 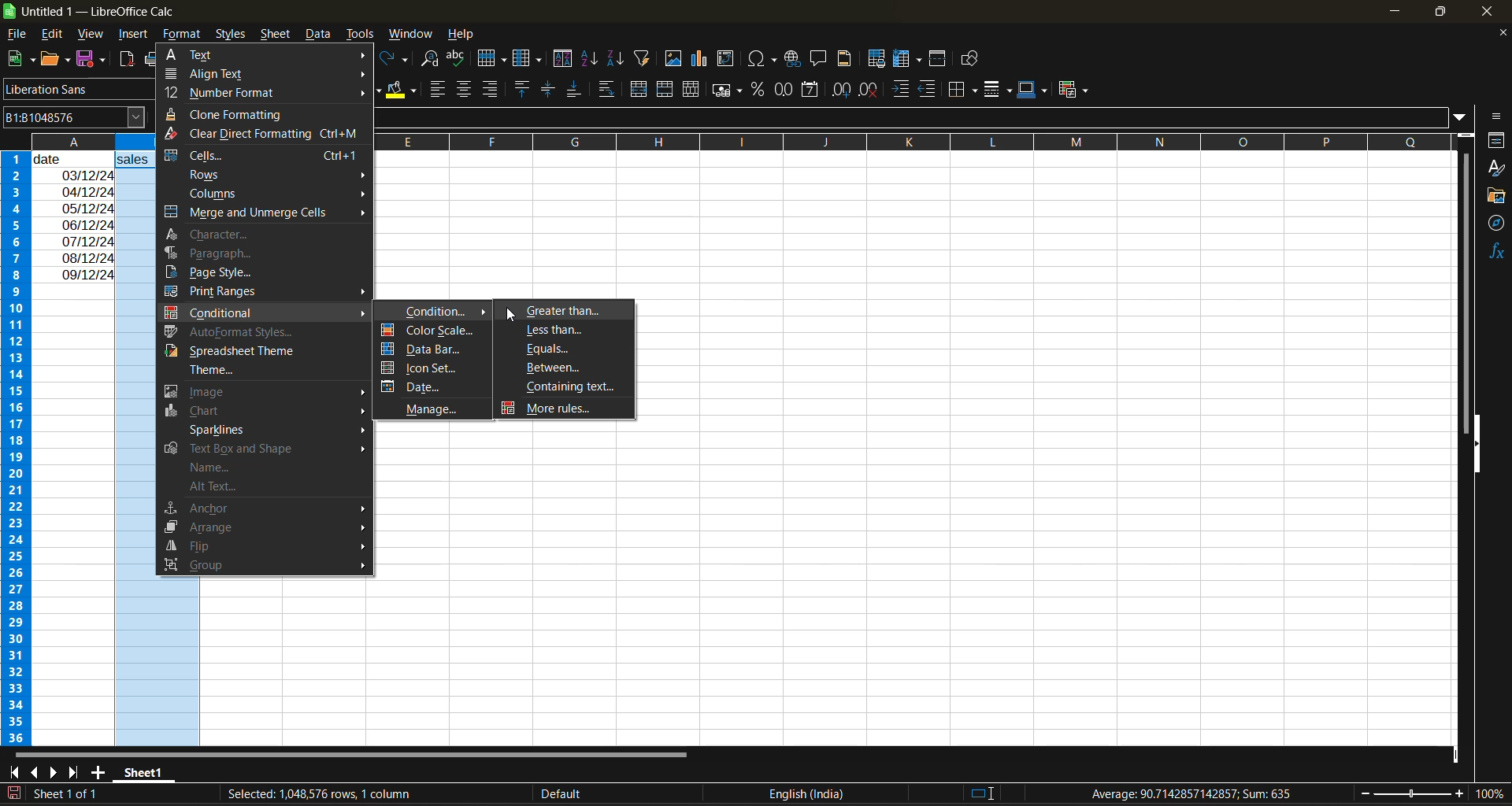 I want to click on conditional, so click(x=261, y=310).